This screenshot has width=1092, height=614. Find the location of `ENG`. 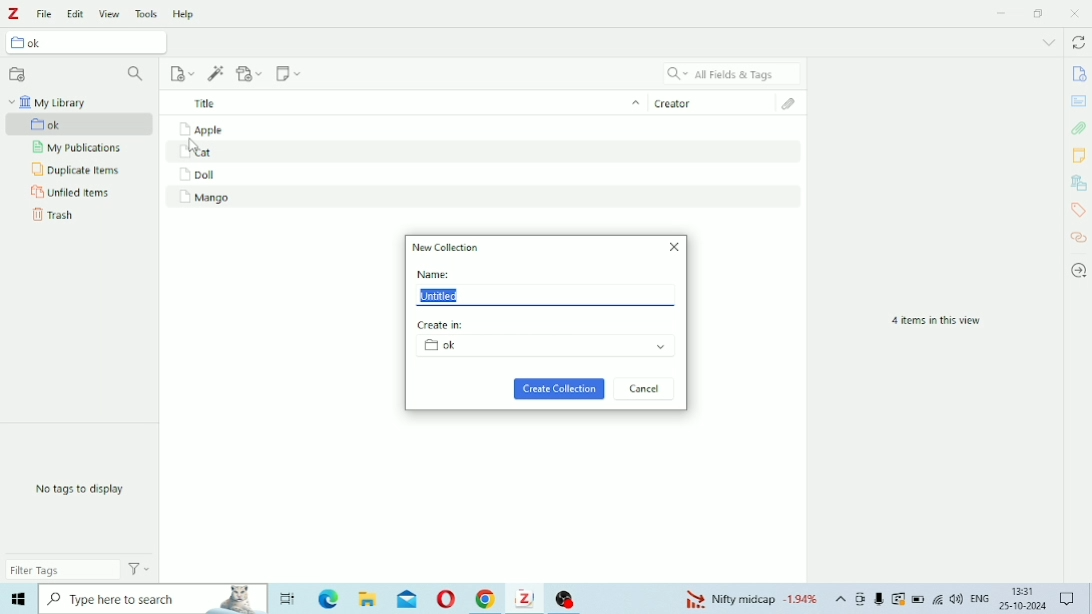

ENG is located at coordinates (979, 597).